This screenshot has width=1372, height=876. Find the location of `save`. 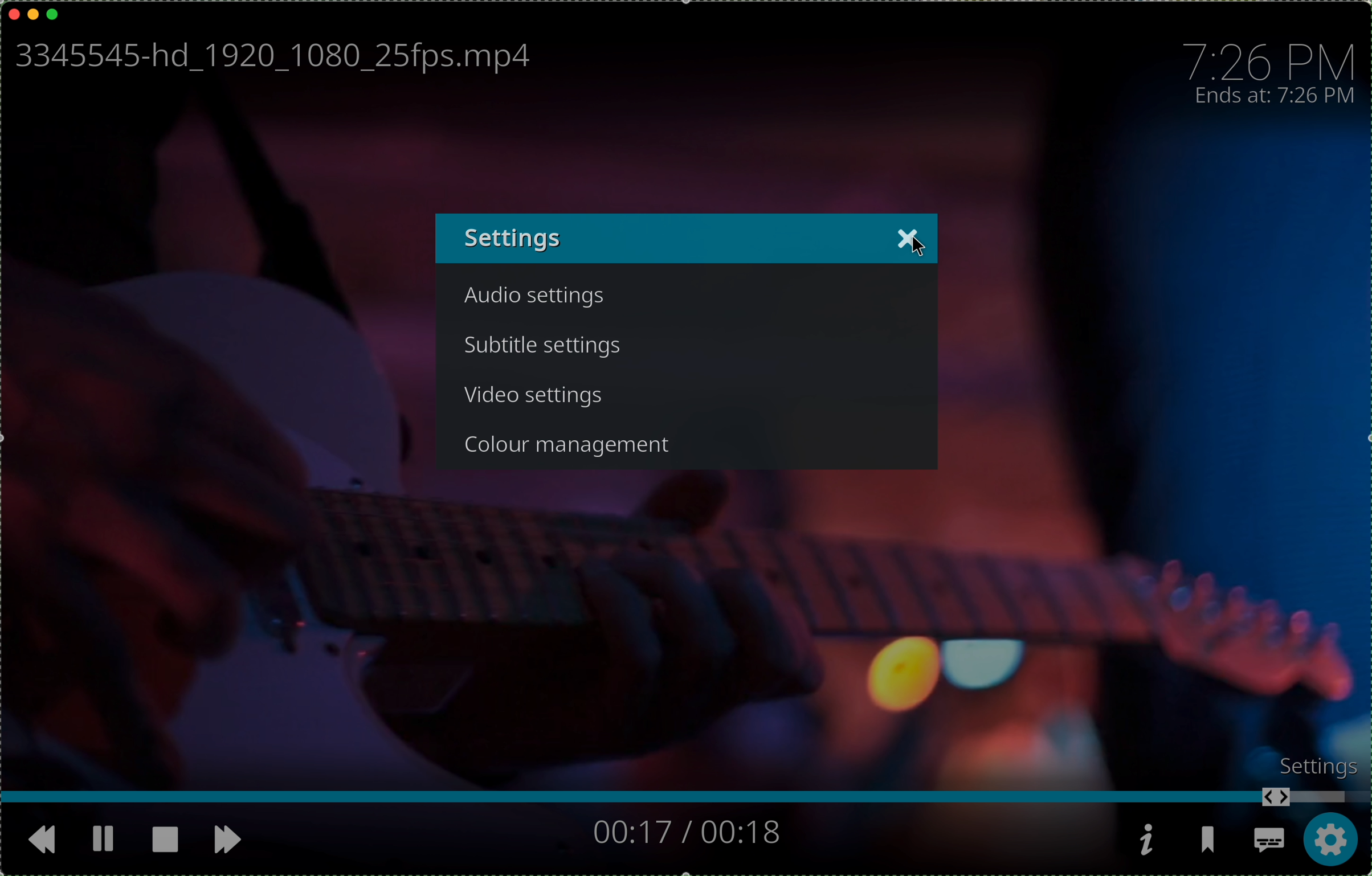

save is located at coordinates (1211, 844).